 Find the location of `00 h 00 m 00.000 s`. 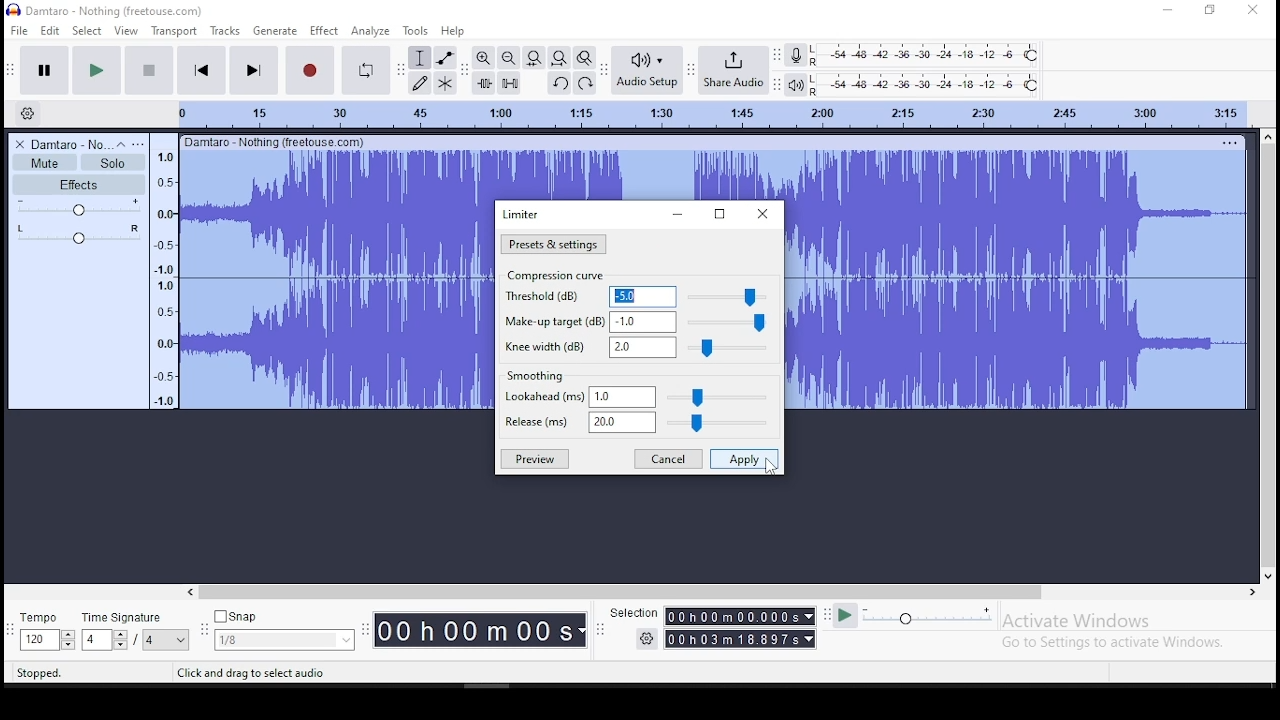

00 h 00 m 00.000 s is located at coordinates (741, 638).